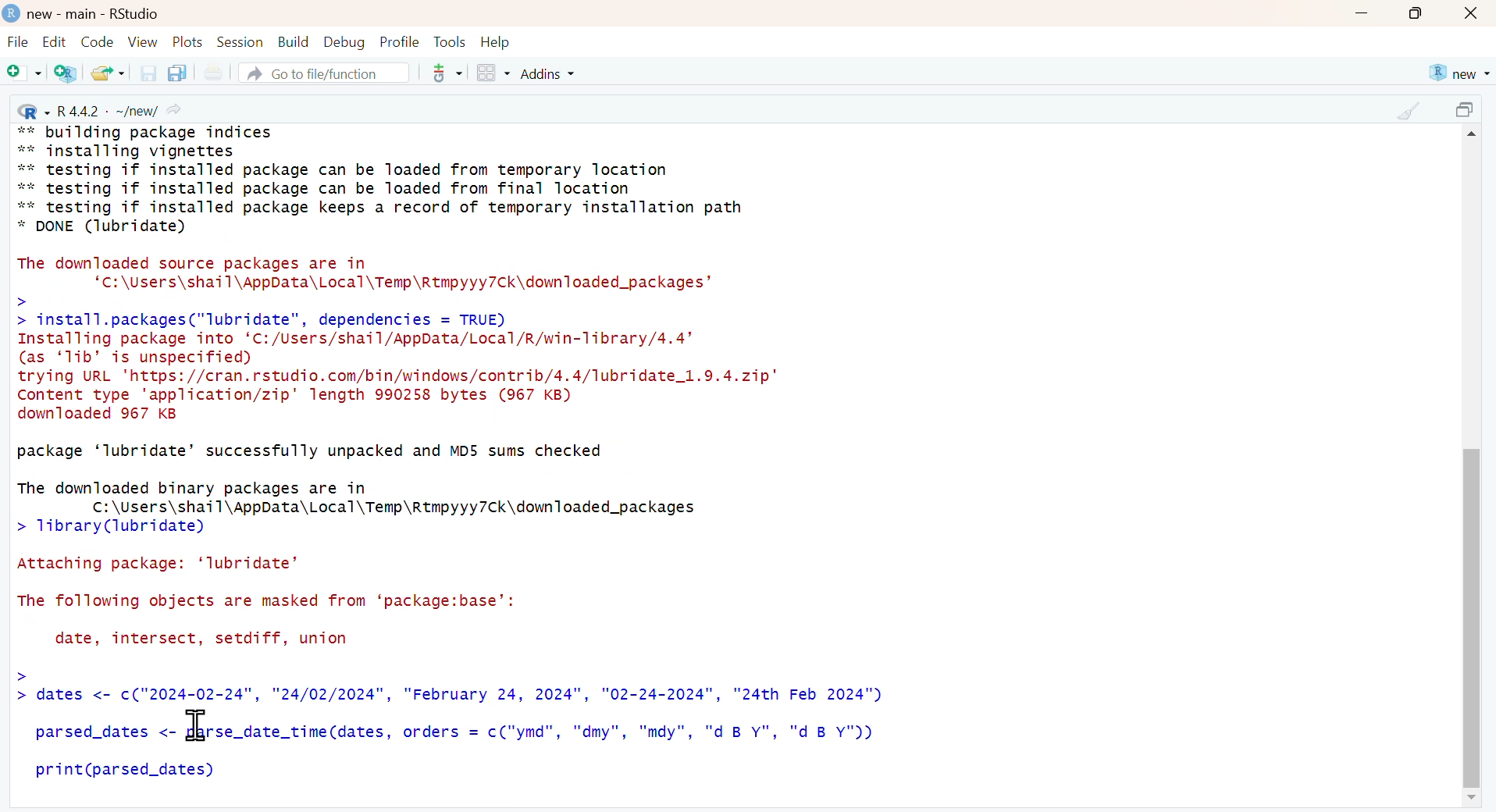 Image resolution: width=1496 pixels, height=812 pixels. What do you see at coordinates (496, 42) in the screenshot?
I see `Help` at bounding box center [496, 42].